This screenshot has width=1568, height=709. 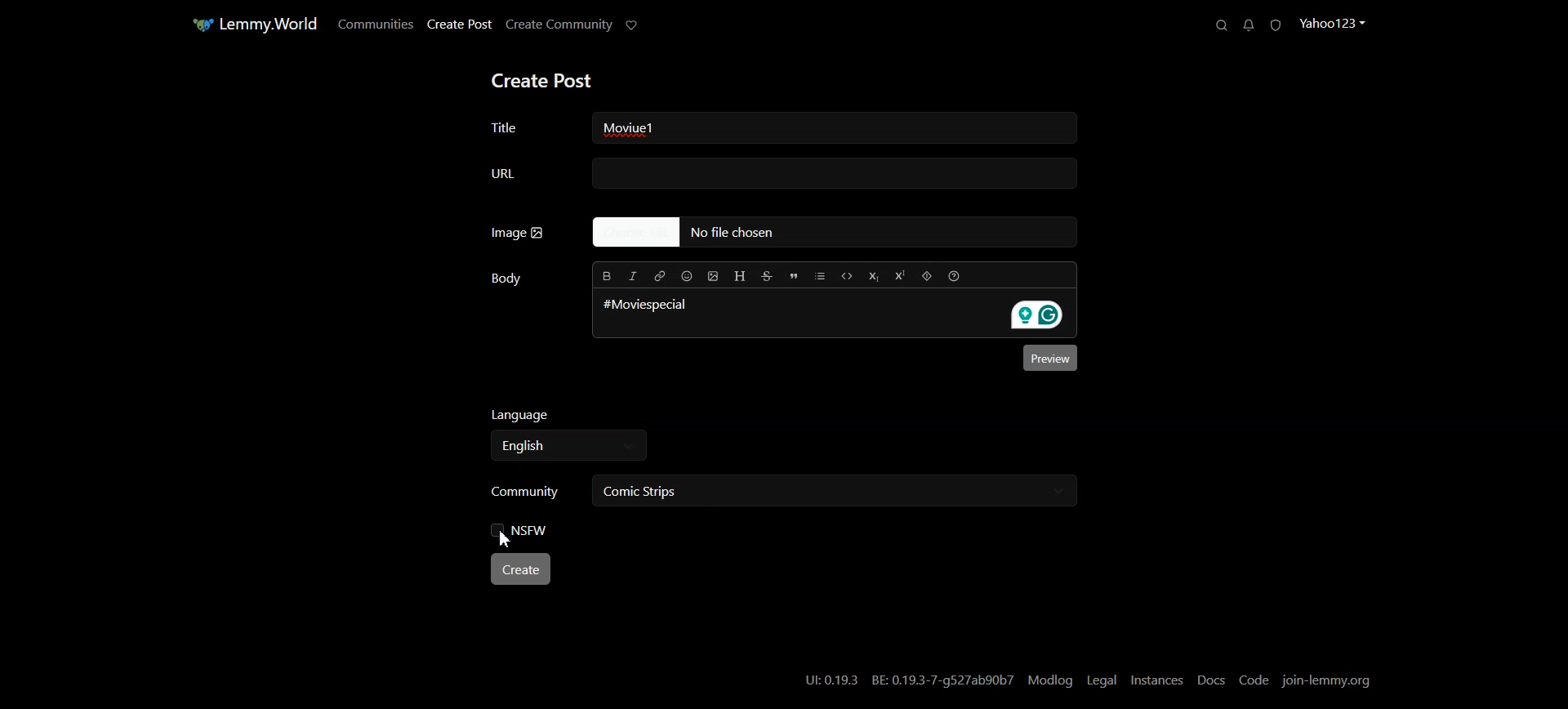 I want to click on Search, so click(x=1217, y=25).